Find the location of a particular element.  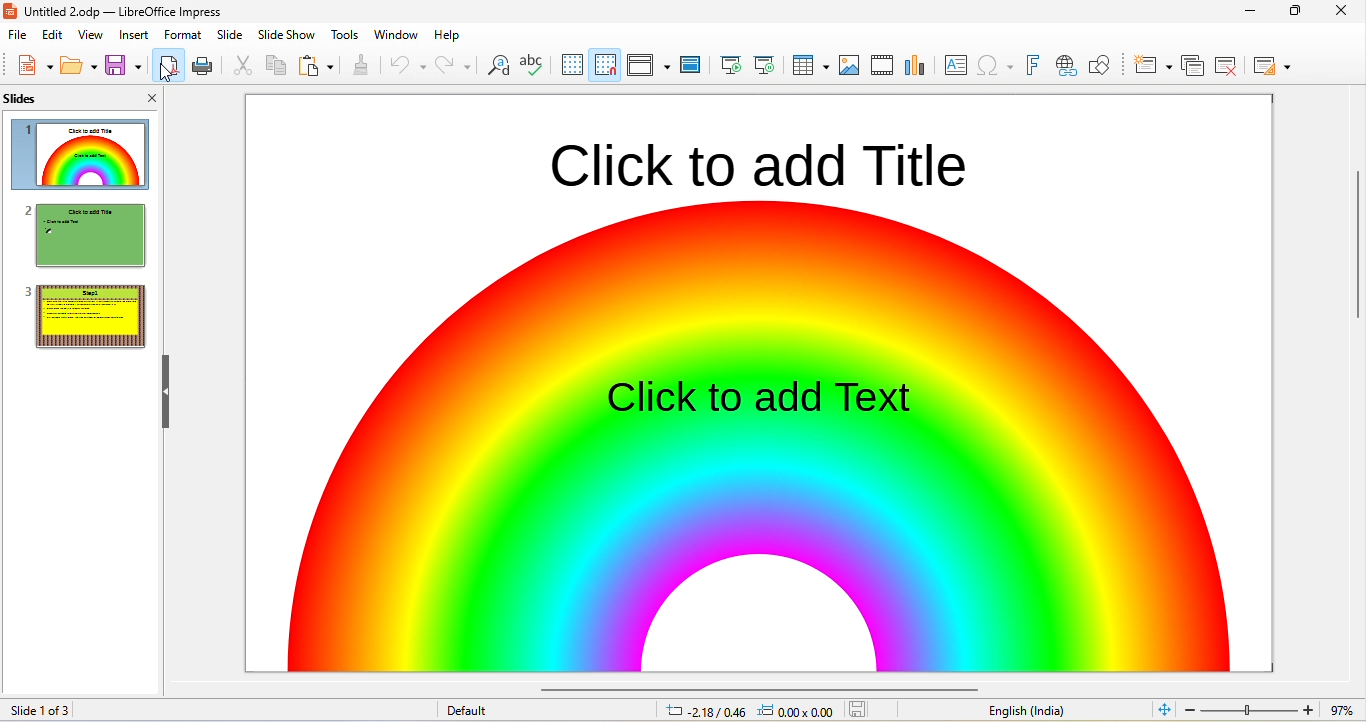

hyperlink is located at coordinates (1065, 66).